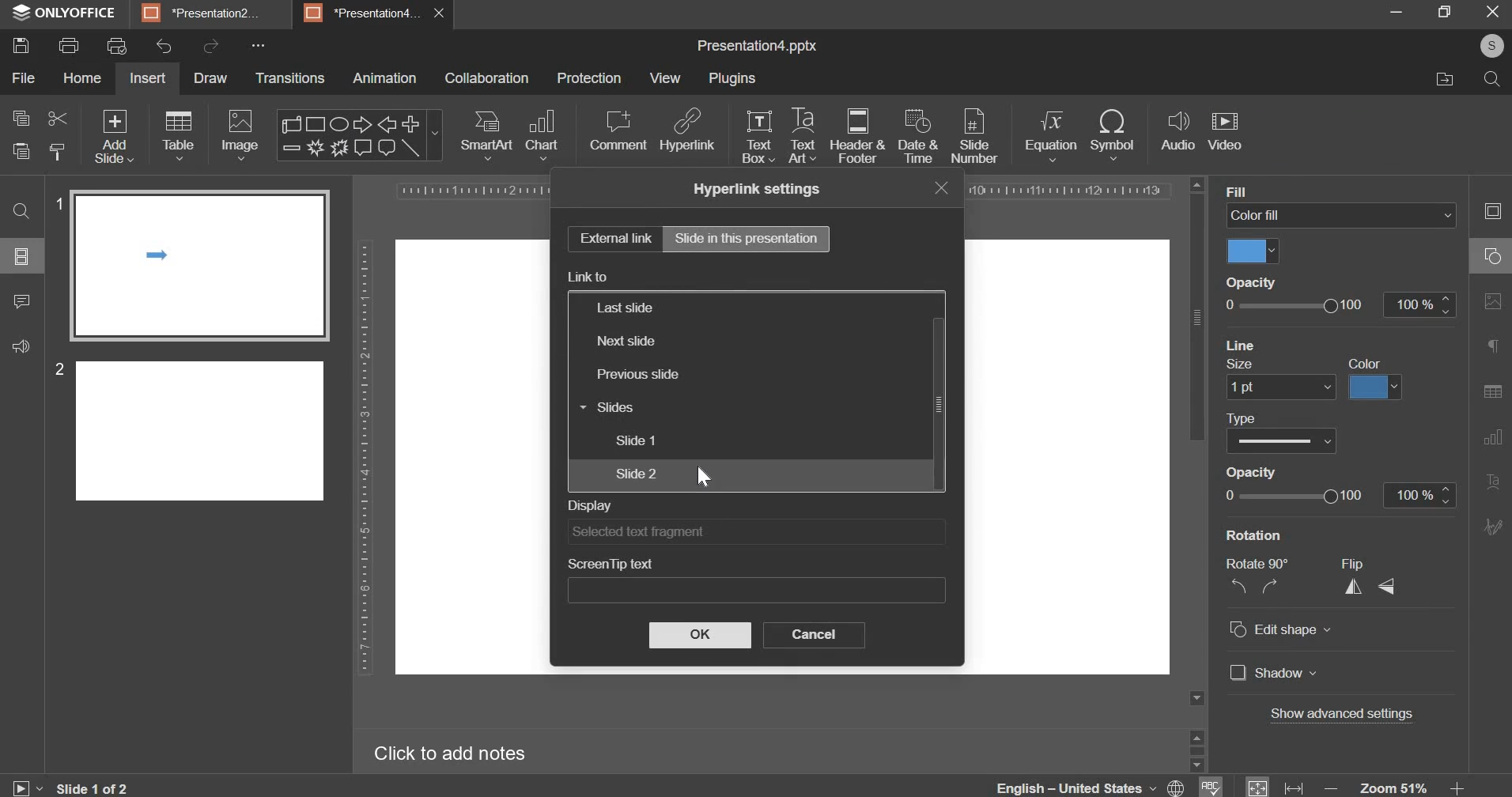  Describe the element at coordinates (164, 47) in the screenshot. I see `undo` at that location.